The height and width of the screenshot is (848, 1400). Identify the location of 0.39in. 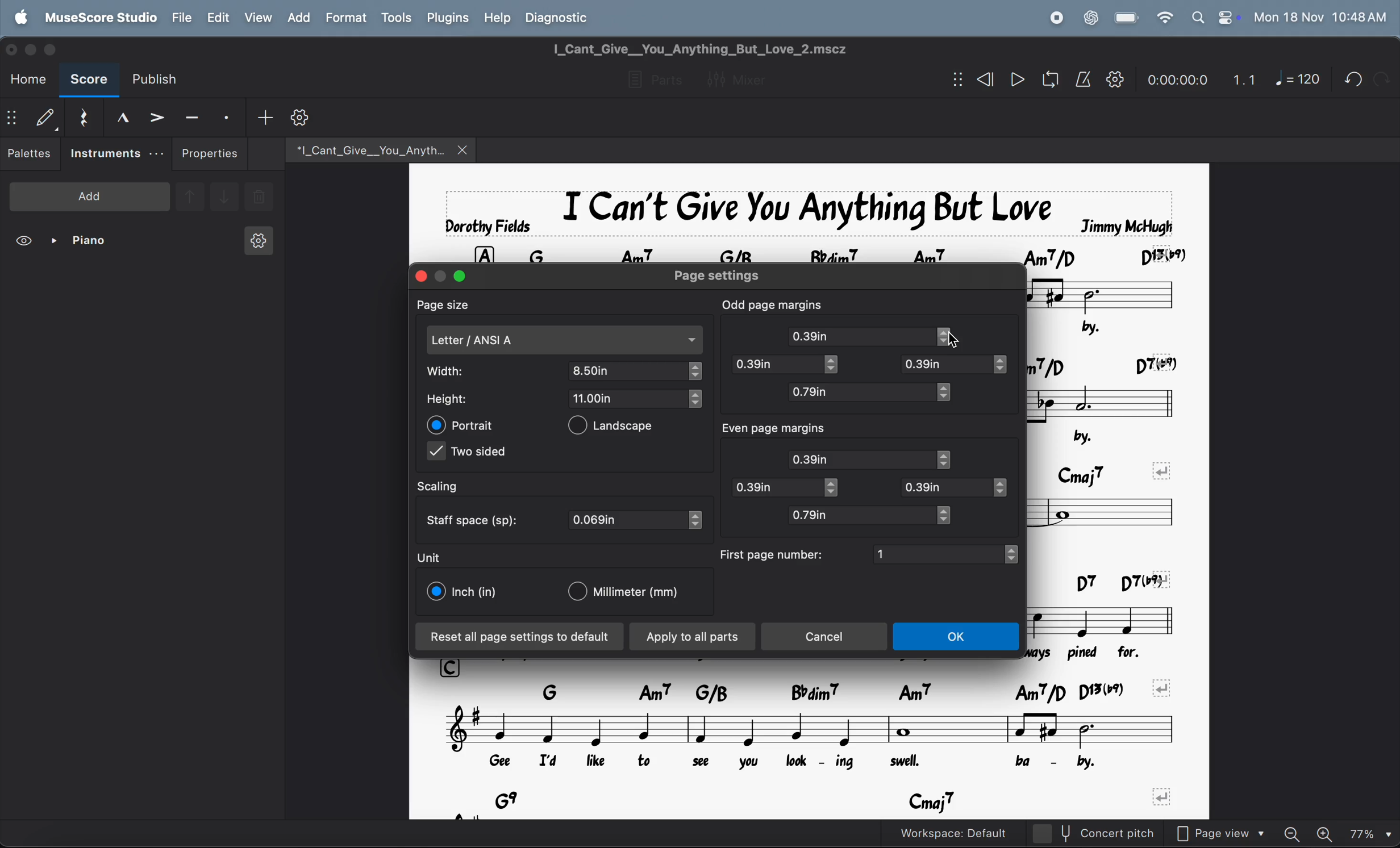
(947, 487).